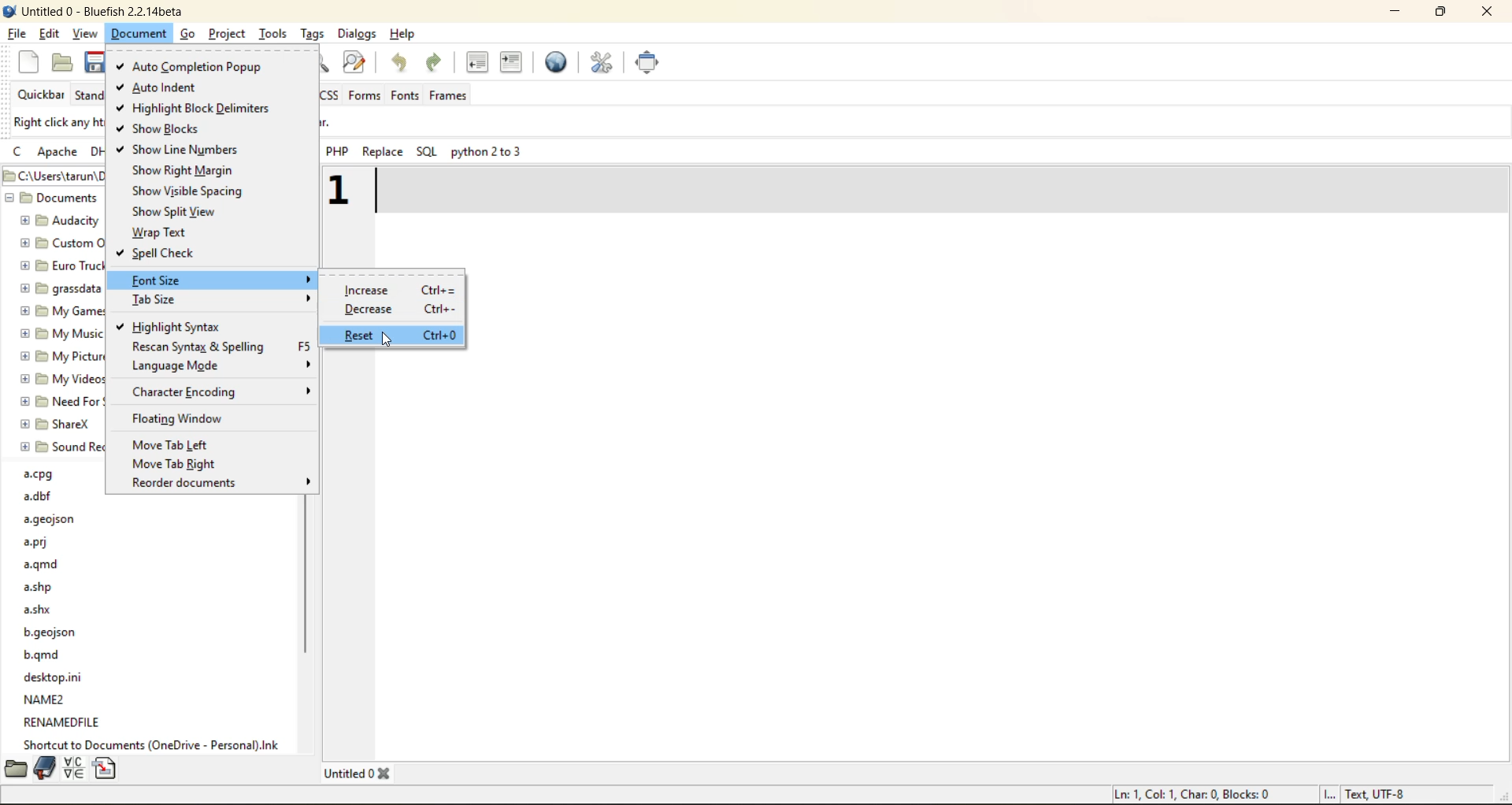  What do you see at coordinates (197, 190) in the screenshot?
I see `show visible spacing` at bounding box center [197, 190].